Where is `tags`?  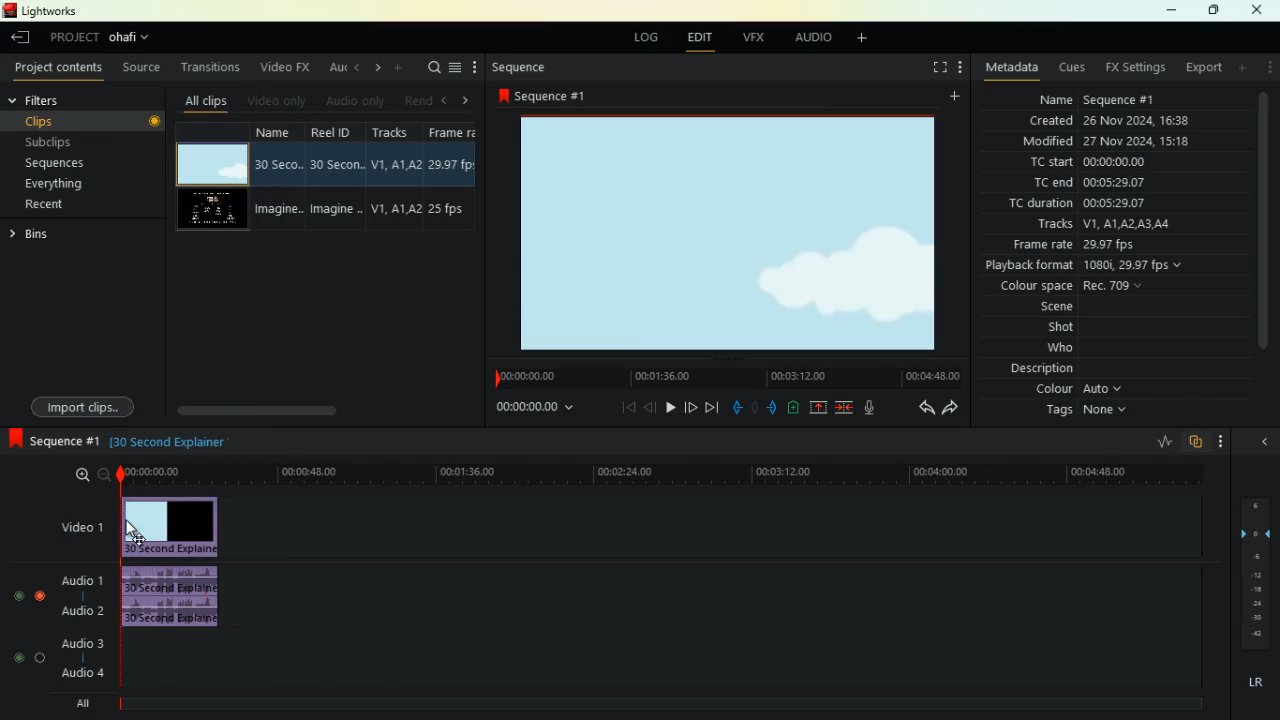
tags is located at coordinates (1079, 411).